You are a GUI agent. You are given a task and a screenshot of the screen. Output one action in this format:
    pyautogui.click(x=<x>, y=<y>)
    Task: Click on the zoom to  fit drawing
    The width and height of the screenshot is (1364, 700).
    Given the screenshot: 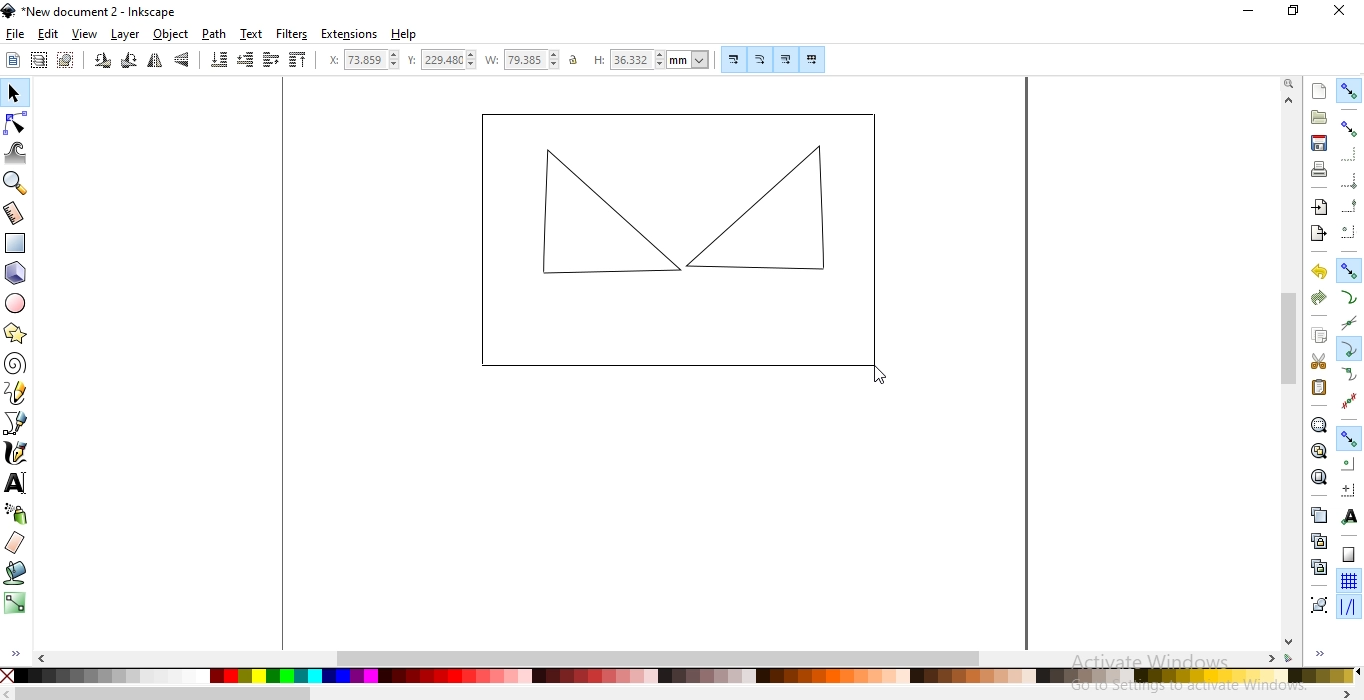 What is the action you would take?
    pyautogui.click(x=1316, y=452)
    